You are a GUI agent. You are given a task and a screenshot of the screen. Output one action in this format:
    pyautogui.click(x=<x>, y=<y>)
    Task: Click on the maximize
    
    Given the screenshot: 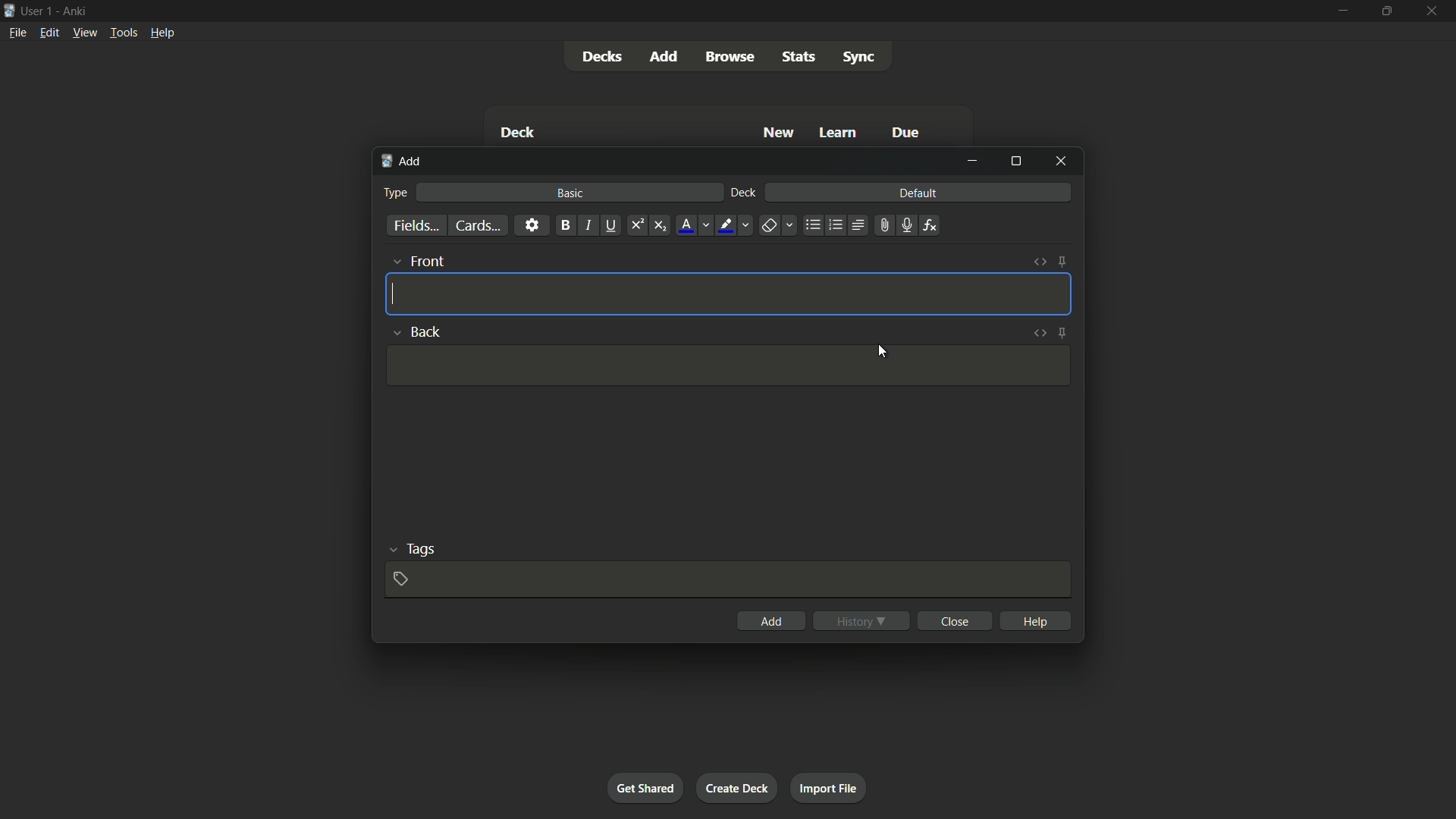 What is the action you would take?
    pyautogui.click(x=1015, y=162)
    